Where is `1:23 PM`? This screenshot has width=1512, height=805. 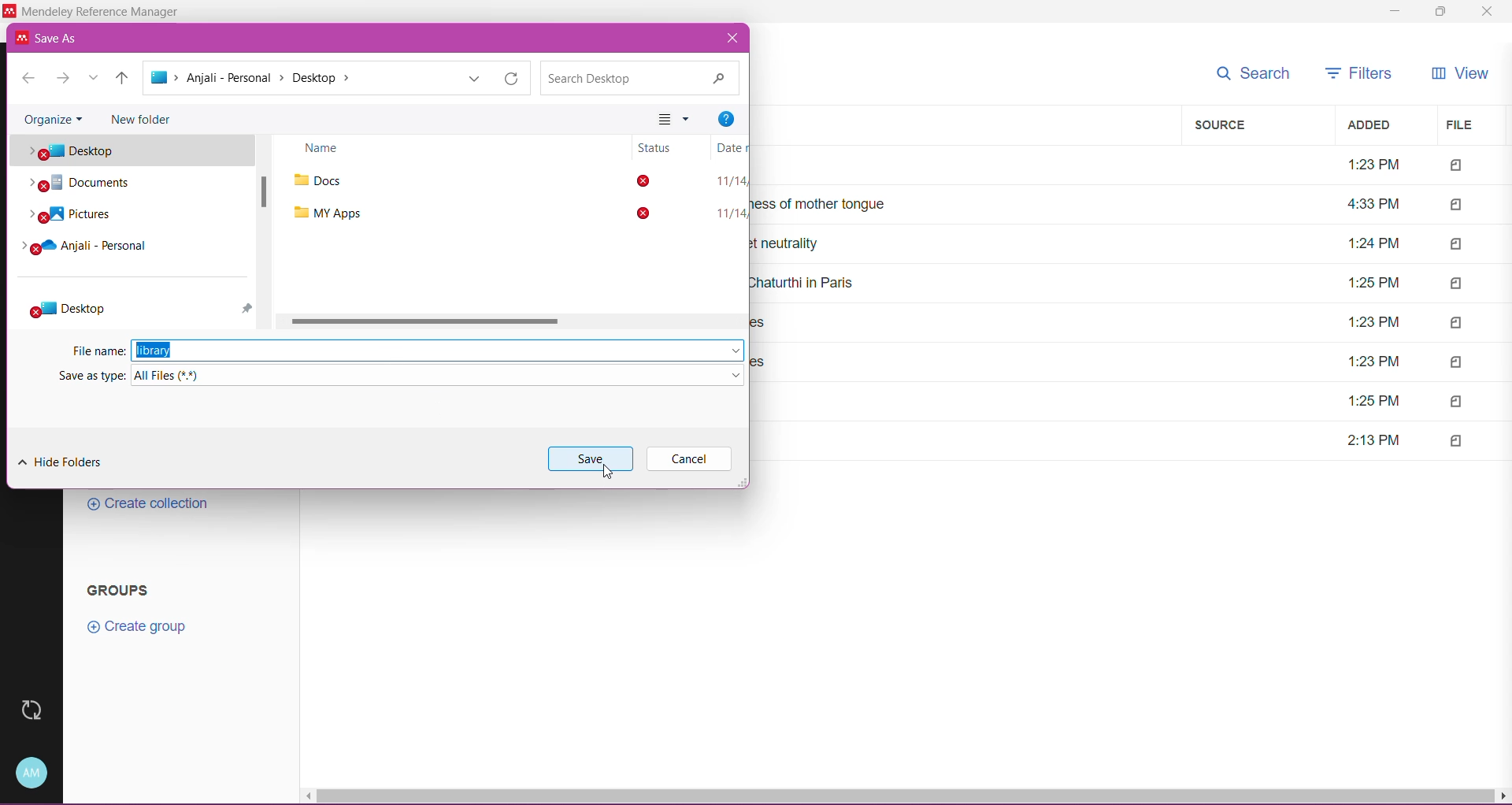 1:23 PM is located at coordinates (1373, 167).